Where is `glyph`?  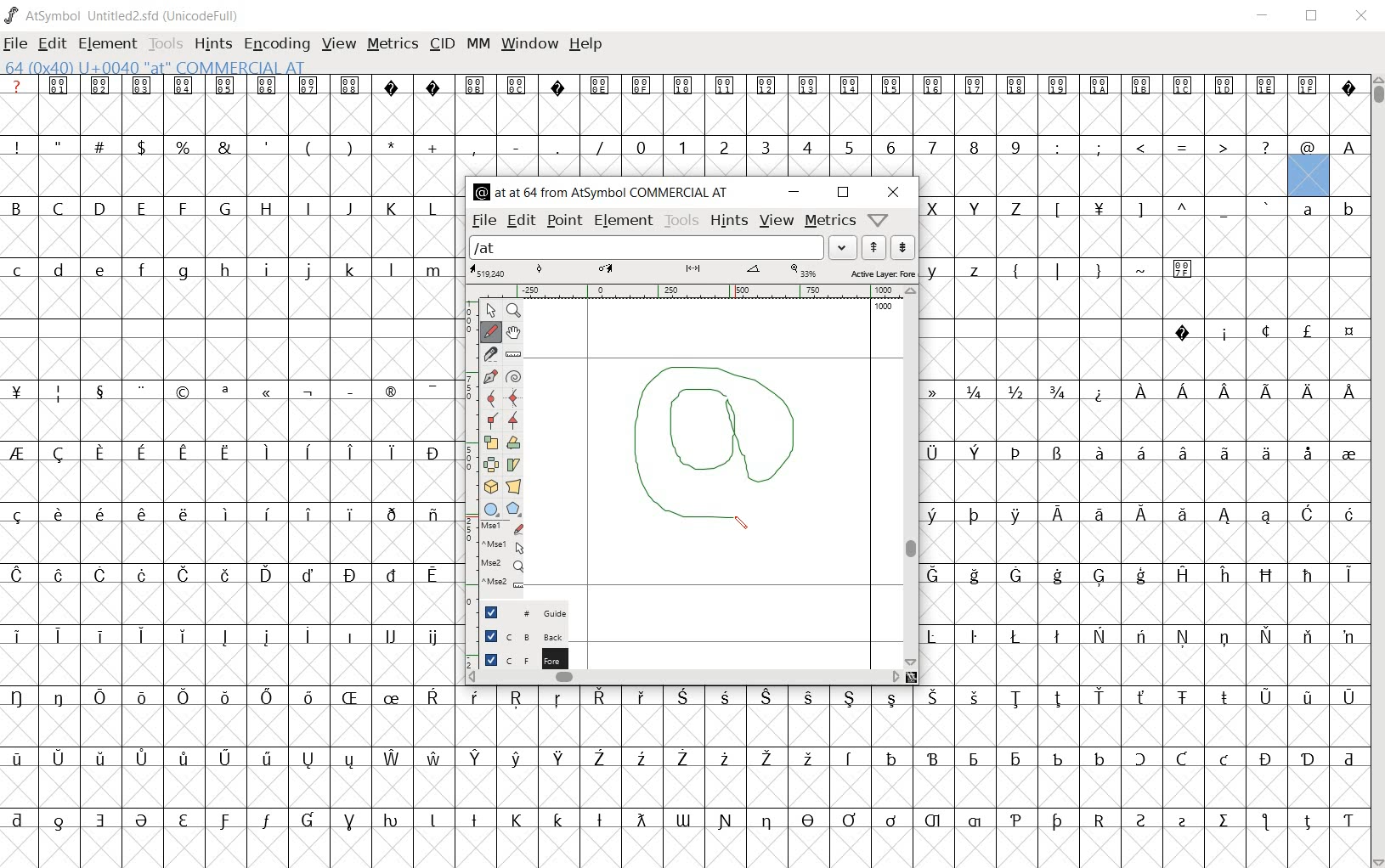
glyph is located at coordinates (228, 470).